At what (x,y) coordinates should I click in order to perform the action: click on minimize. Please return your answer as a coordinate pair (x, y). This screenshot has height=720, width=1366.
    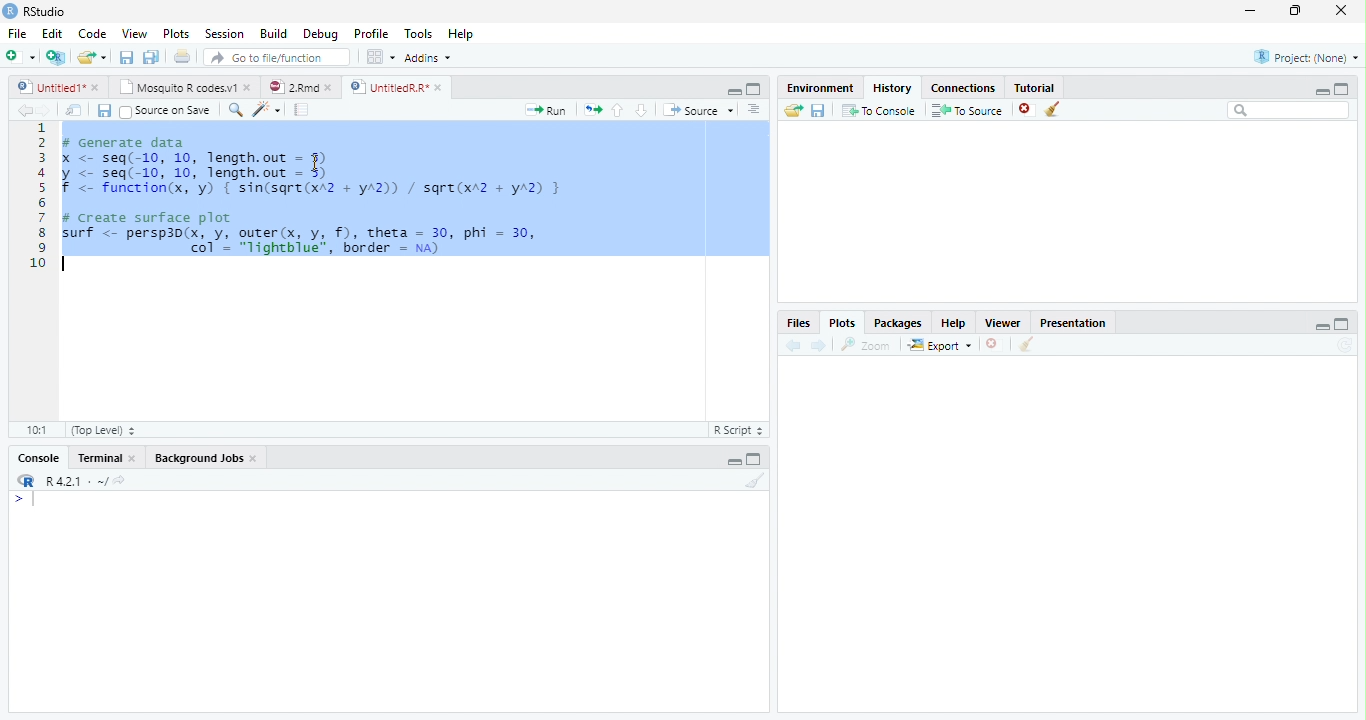
    Looking at the image, I should click on (1322, 327).